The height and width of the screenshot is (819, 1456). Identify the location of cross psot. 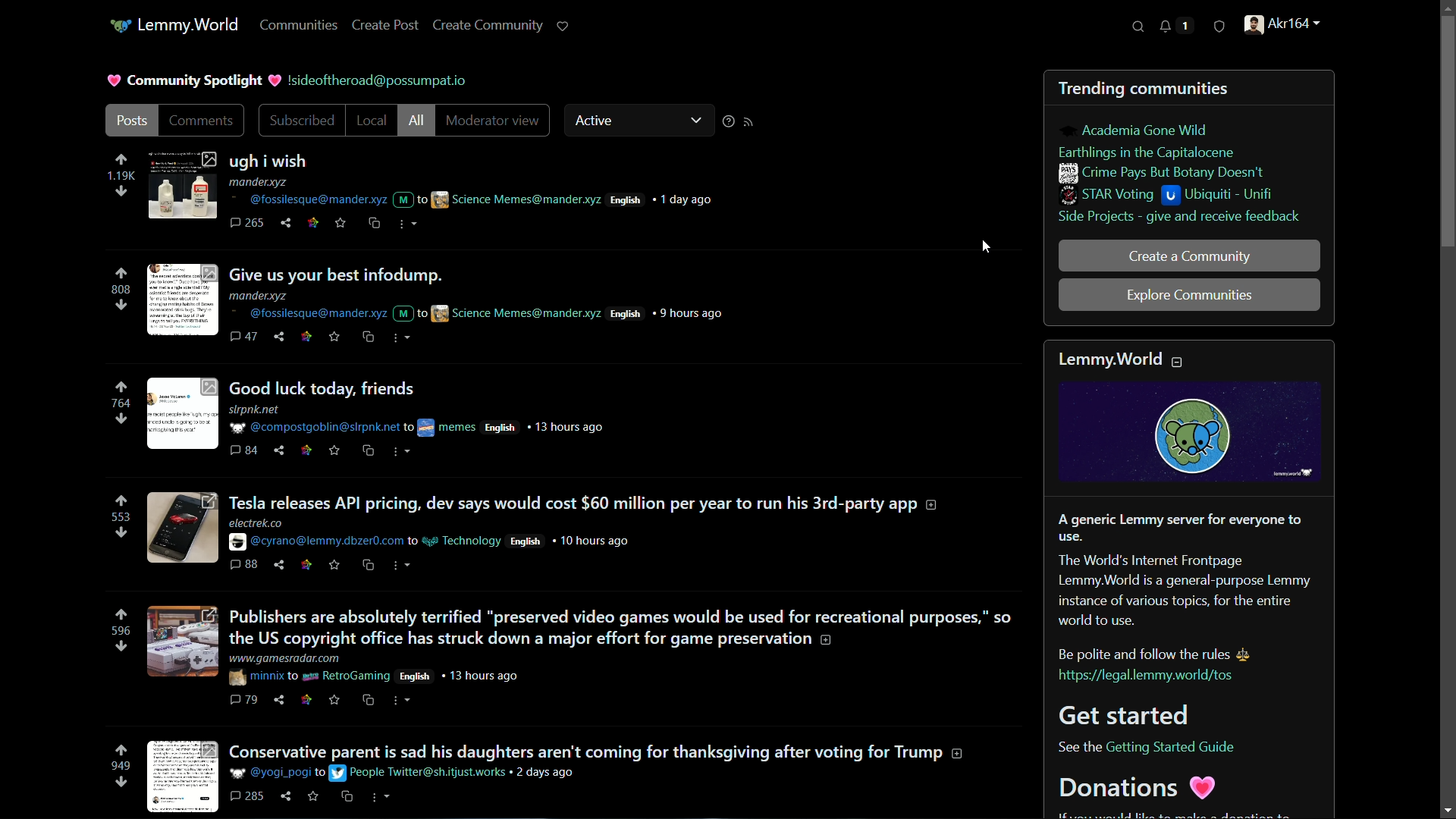
(369, 566).